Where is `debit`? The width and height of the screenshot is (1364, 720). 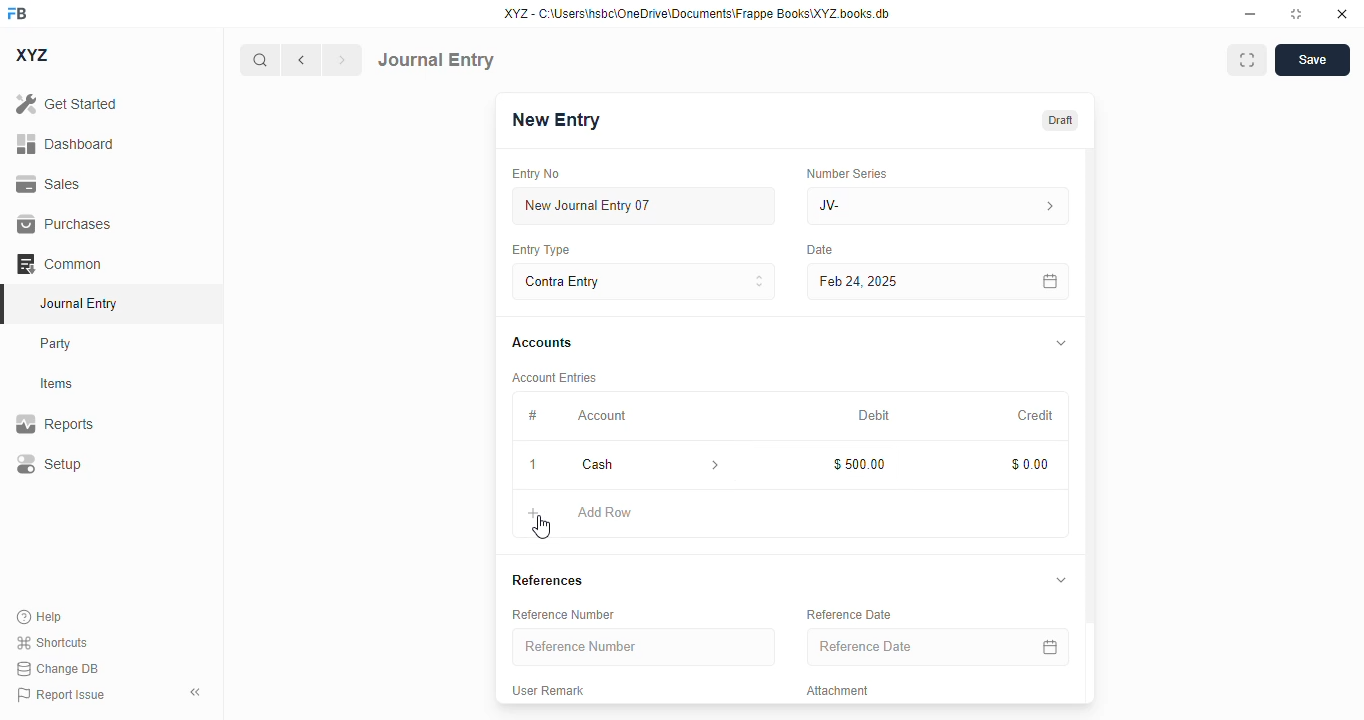
debit is located at coordinates (875, 415).